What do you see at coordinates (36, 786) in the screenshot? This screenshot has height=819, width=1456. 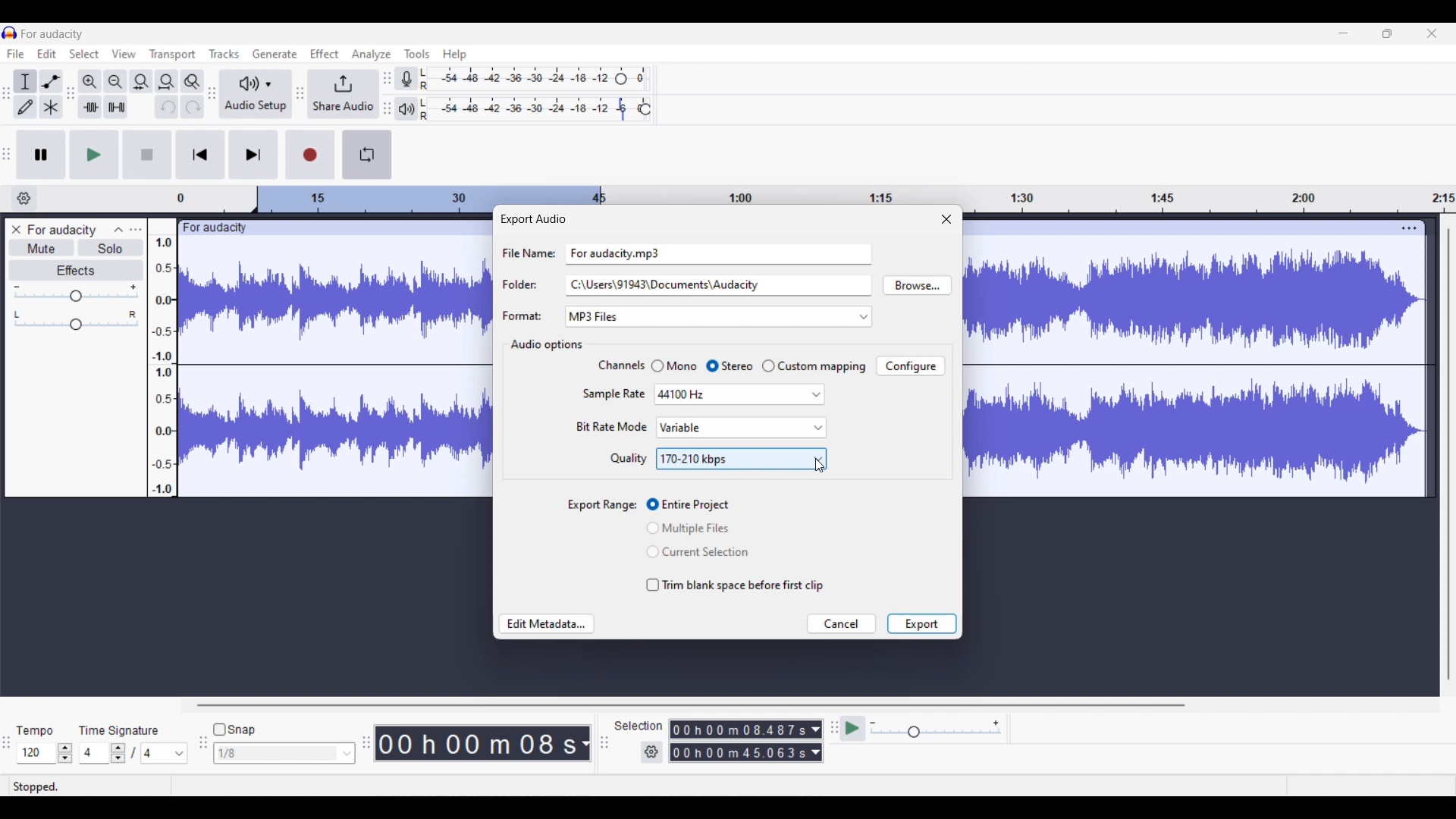 I see `Current status of track` at bounding box center [36, 786].